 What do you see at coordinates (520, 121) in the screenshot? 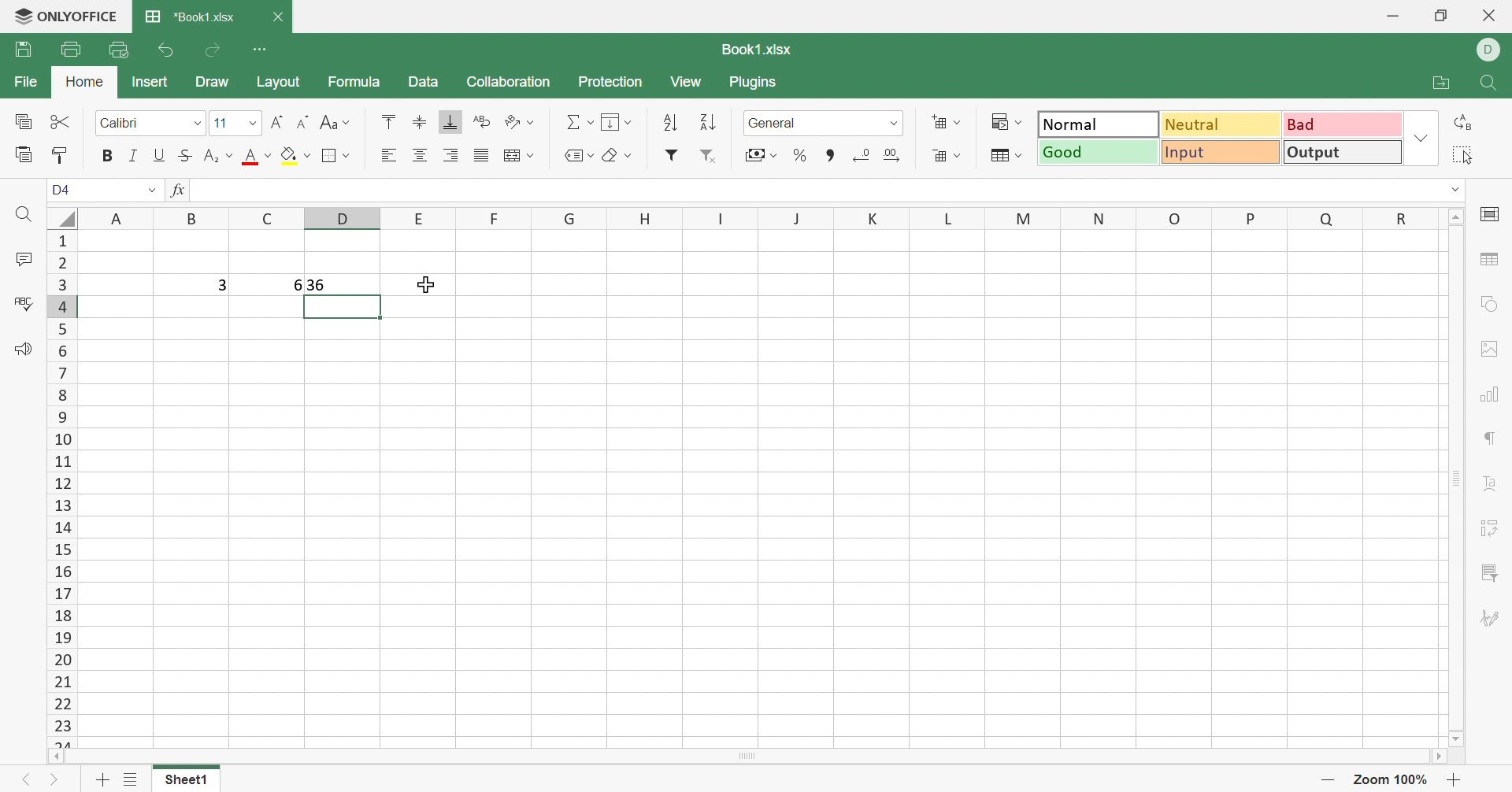
I see `Orientation` at bounding box center [520, 121].